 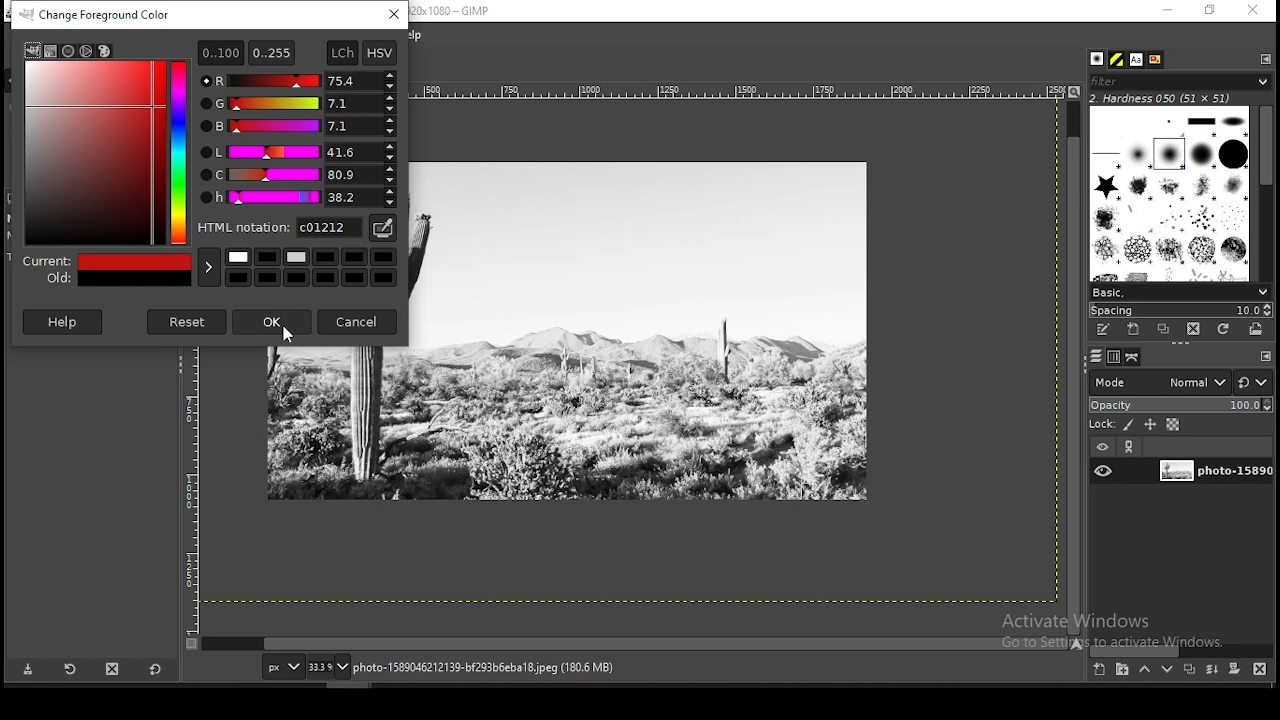 What do you see at coordinates (273, 52) in the screenshot?
I see `0.255` at bounding box center [273, 52].